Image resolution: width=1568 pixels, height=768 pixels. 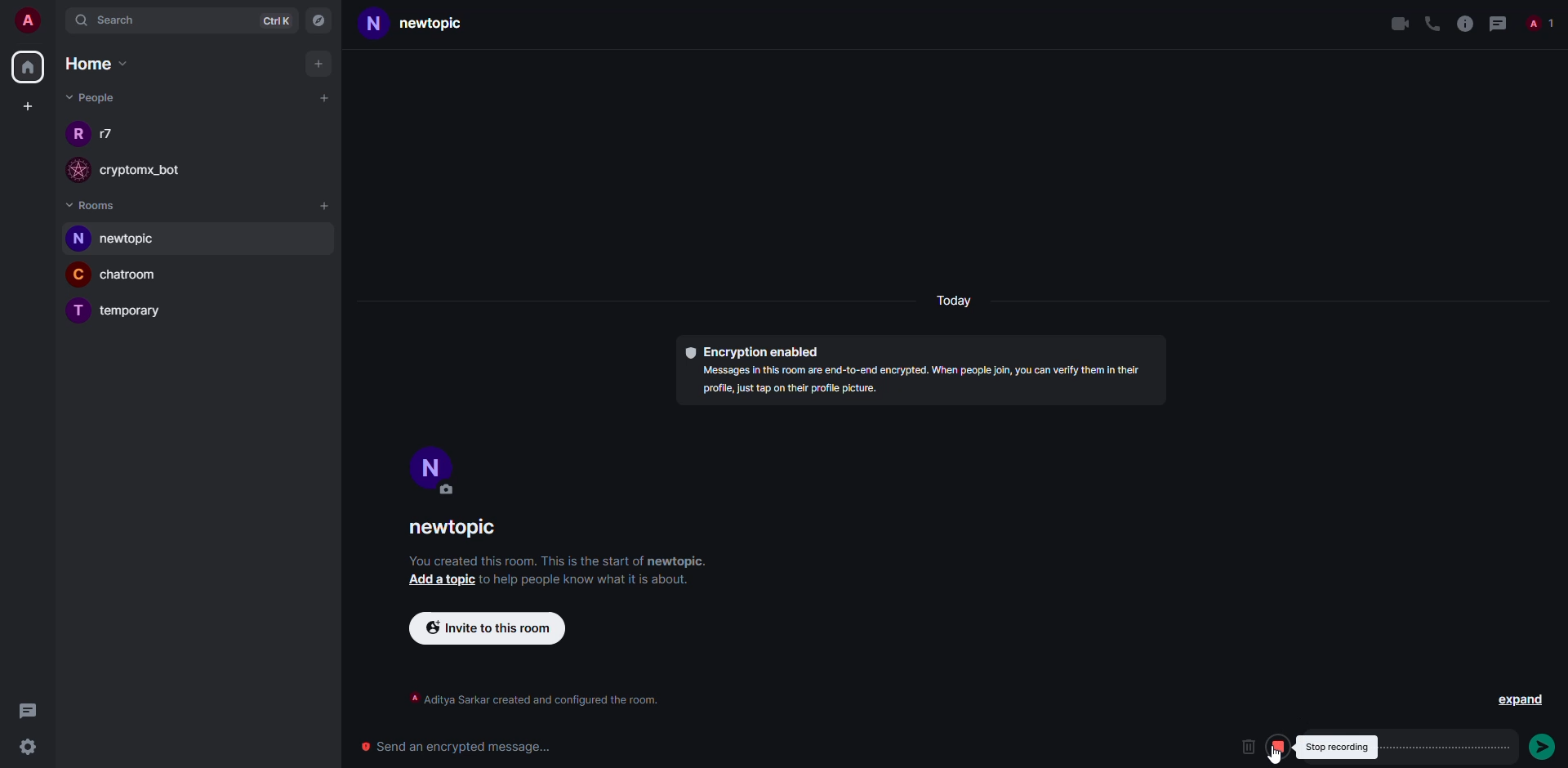 I want to click on R, so click(x=73, y=135).